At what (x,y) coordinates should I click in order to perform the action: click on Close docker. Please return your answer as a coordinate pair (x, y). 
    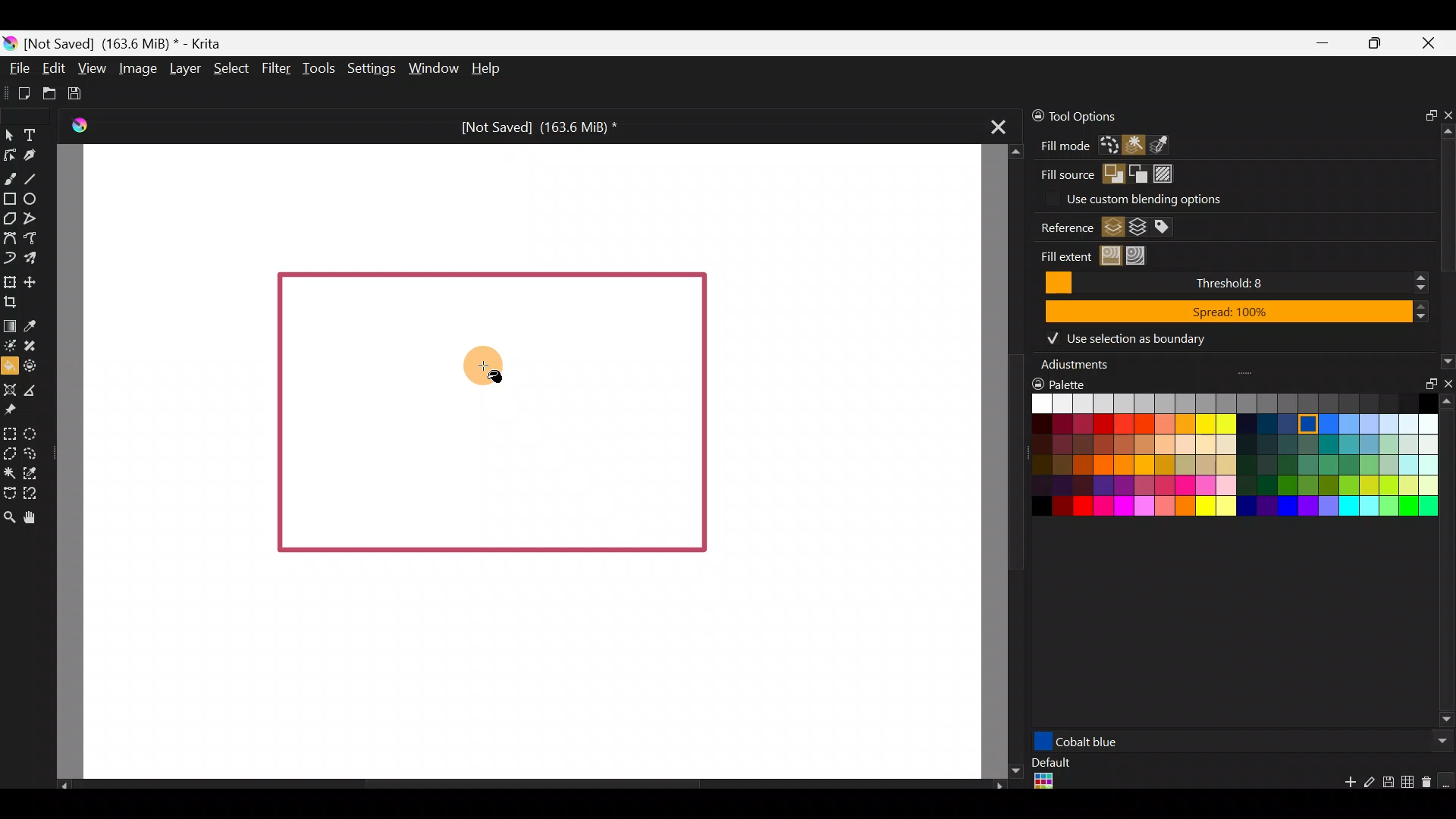
    Looking at the image, I should click on (1446, 387).